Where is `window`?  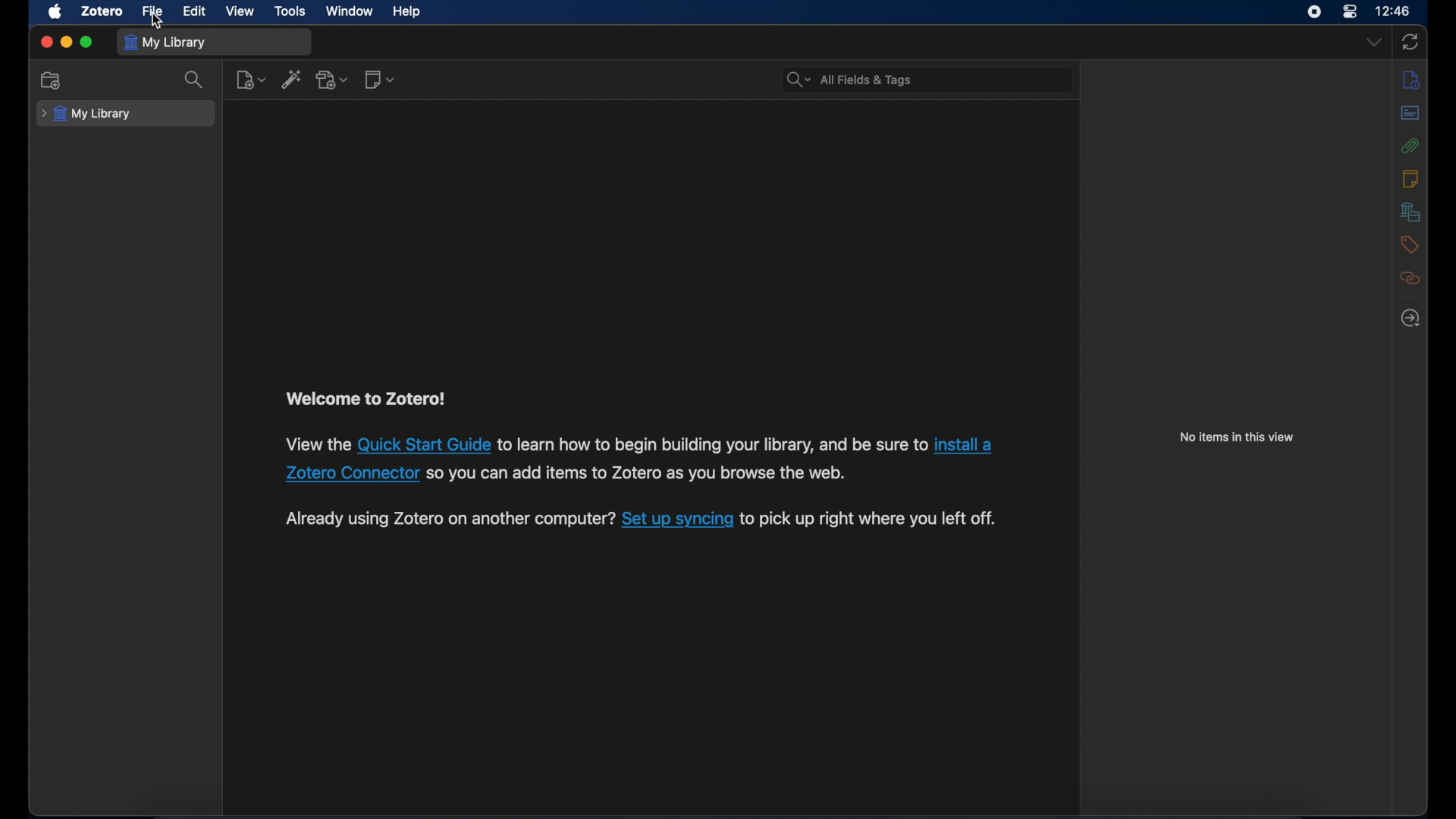 window is located at coordinates (349, 11).